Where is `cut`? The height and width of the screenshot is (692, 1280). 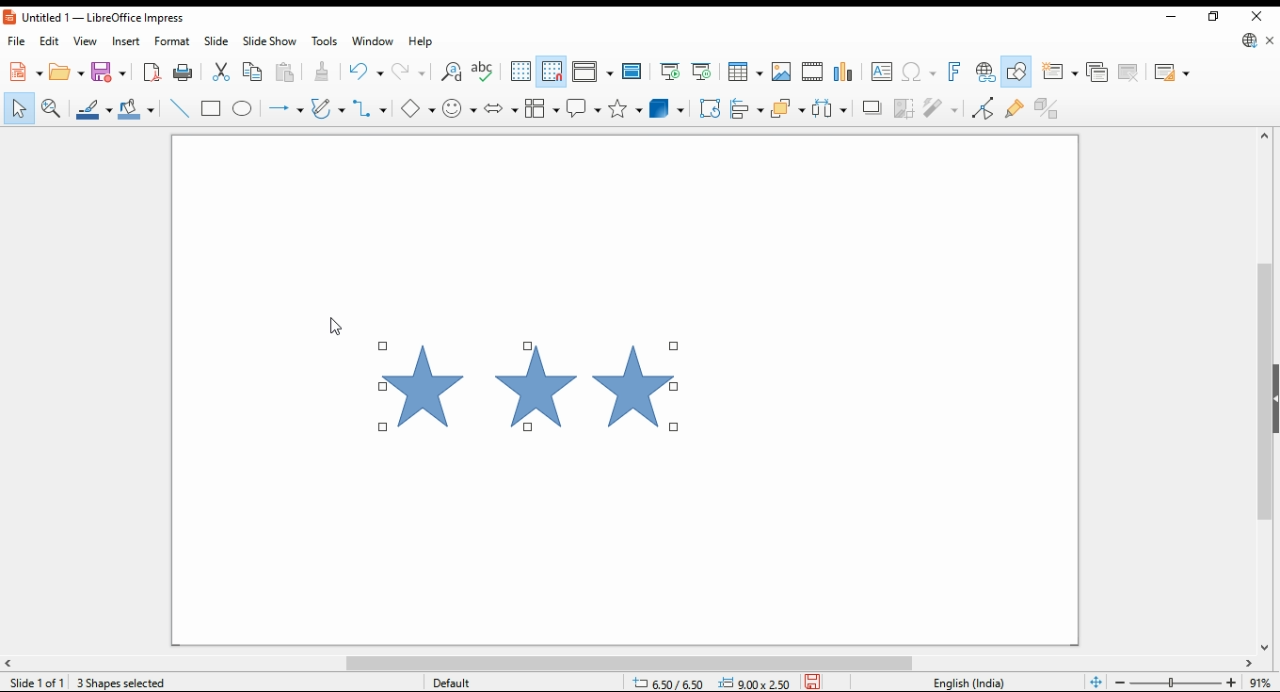
cut is located at coordinates (224, 71).